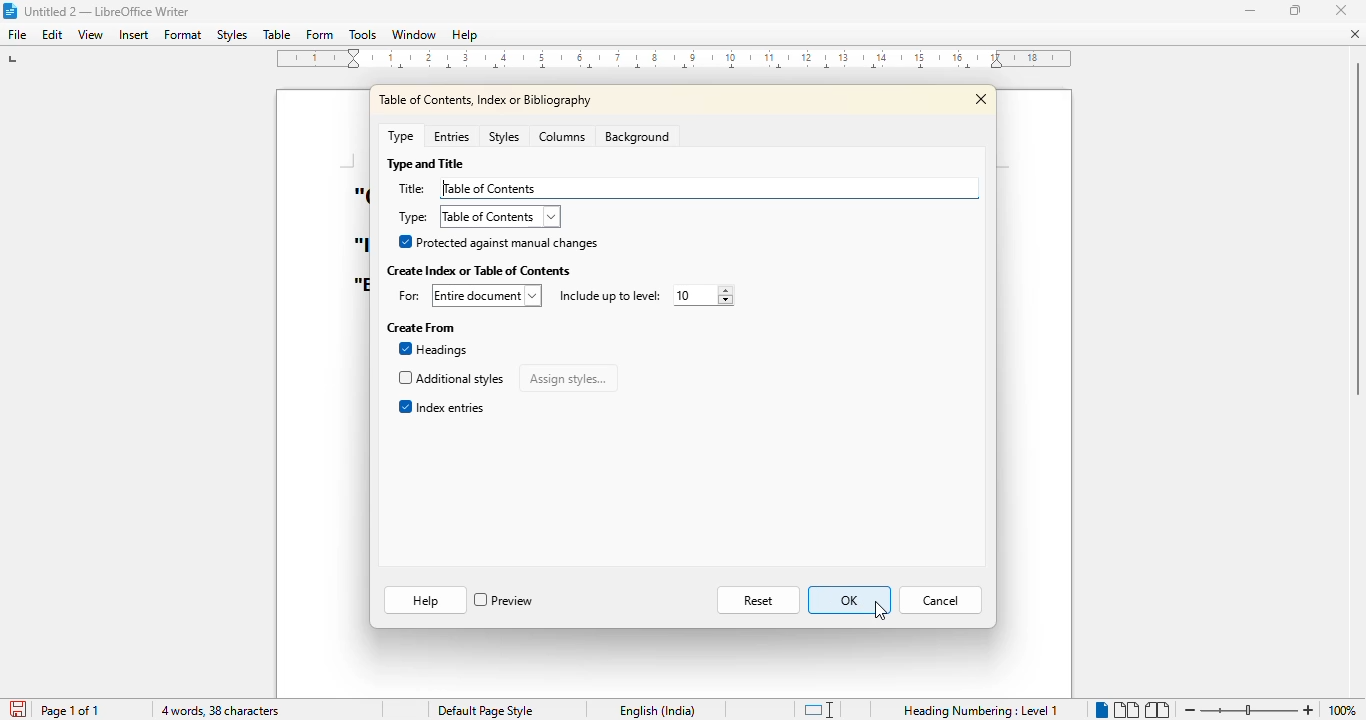 This screenshot has height=720, width=1366. What do you see at coordinates (487, 99) in the screenshot?
I see `table of contents, index or bibliography` at bounding box center [487, 99].